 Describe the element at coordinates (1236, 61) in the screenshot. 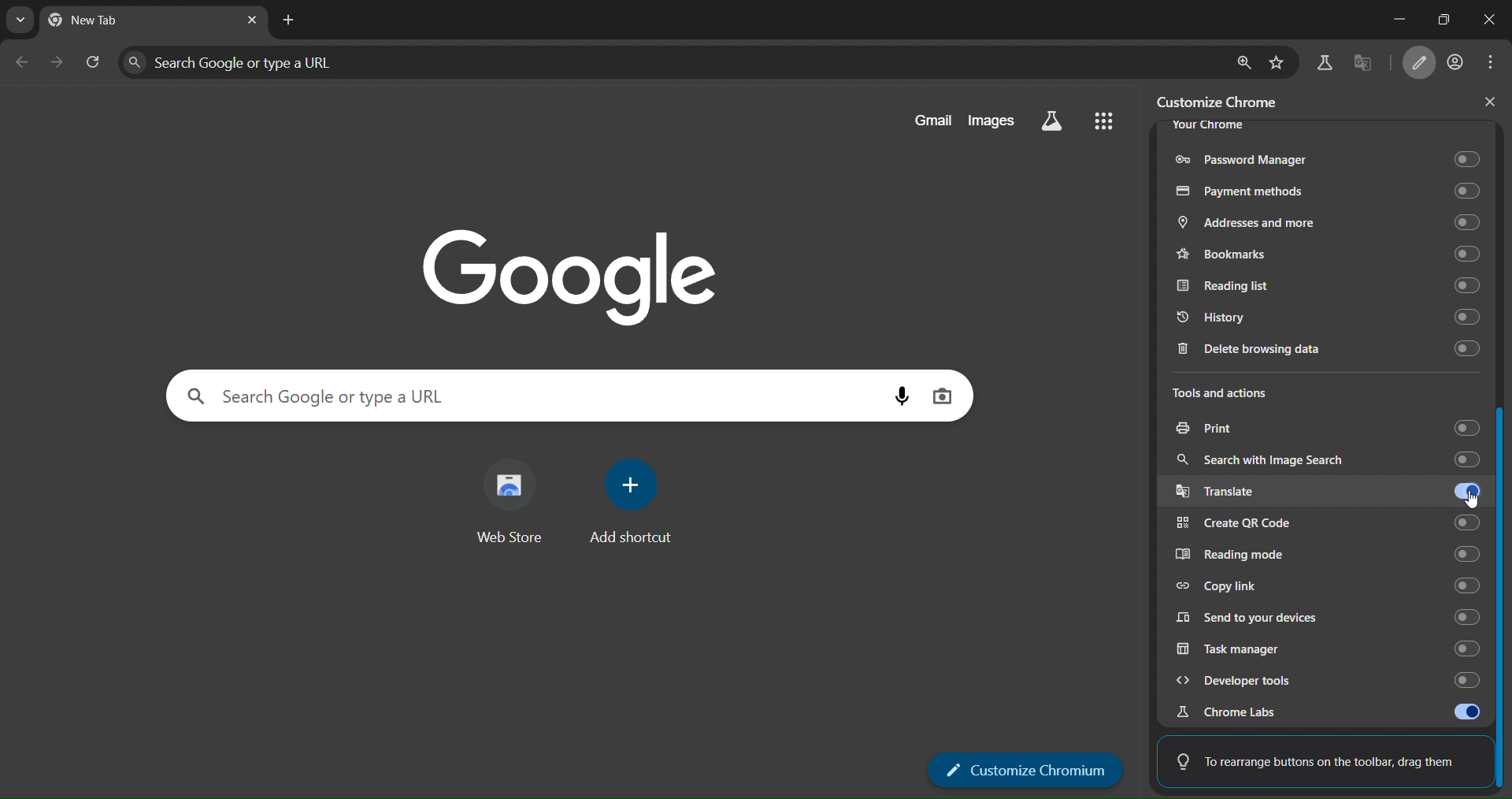

I see `zoom` at that location.